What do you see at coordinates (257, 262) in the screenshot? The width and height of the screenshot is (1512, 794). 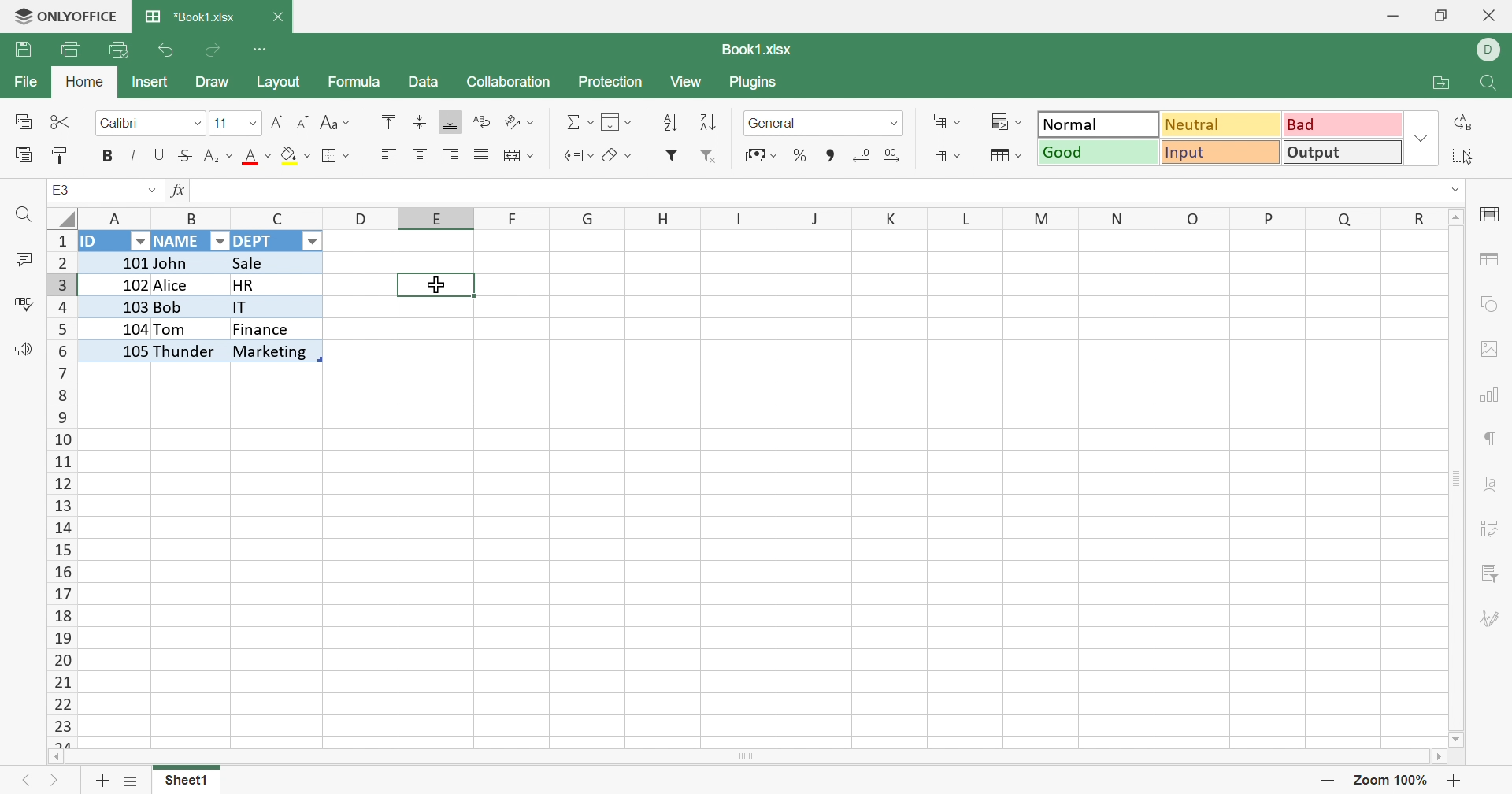 I see `Sale` at bounding box center [257, 262].